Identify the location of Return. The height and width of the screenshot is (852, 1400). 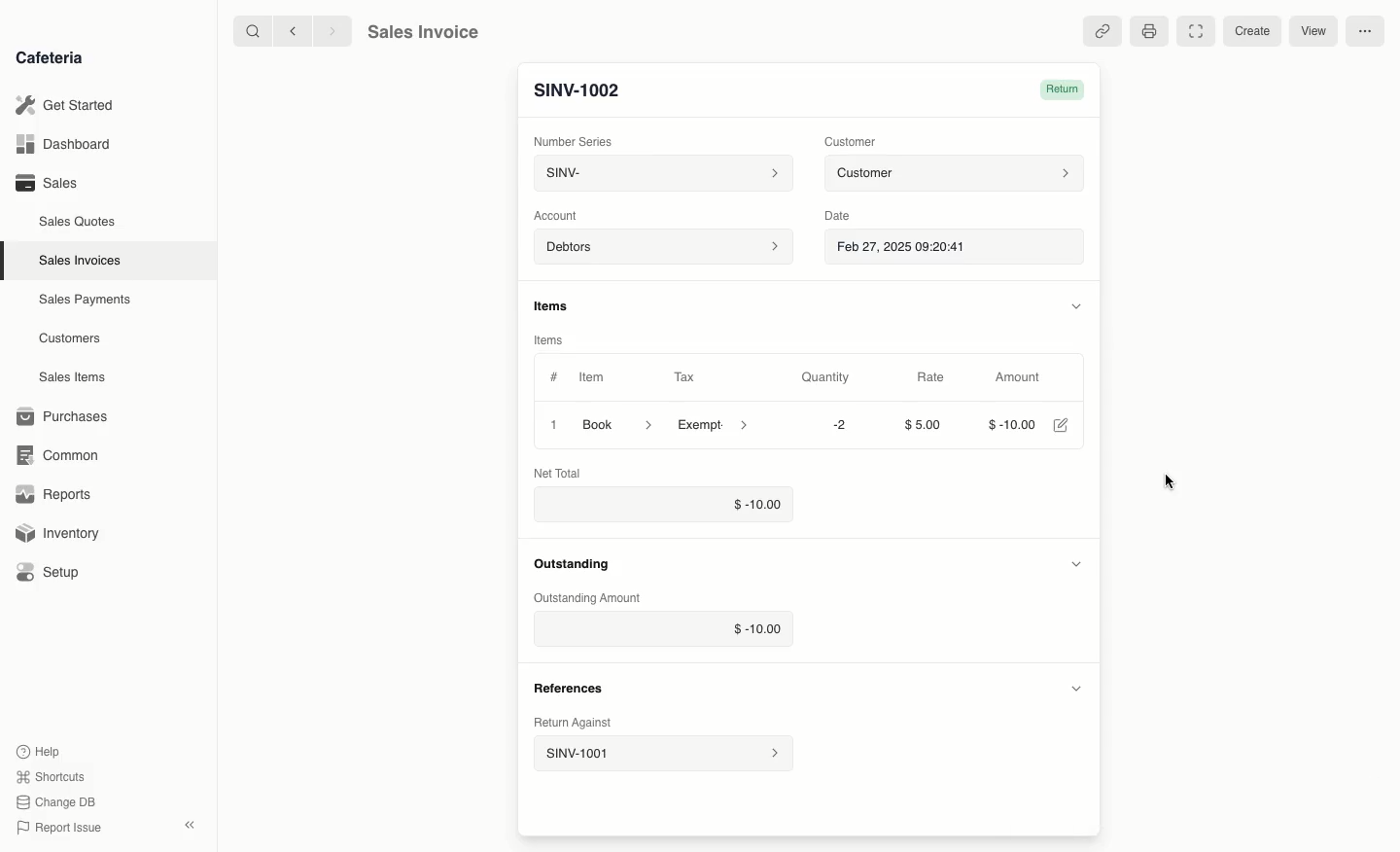
(1066, 89).